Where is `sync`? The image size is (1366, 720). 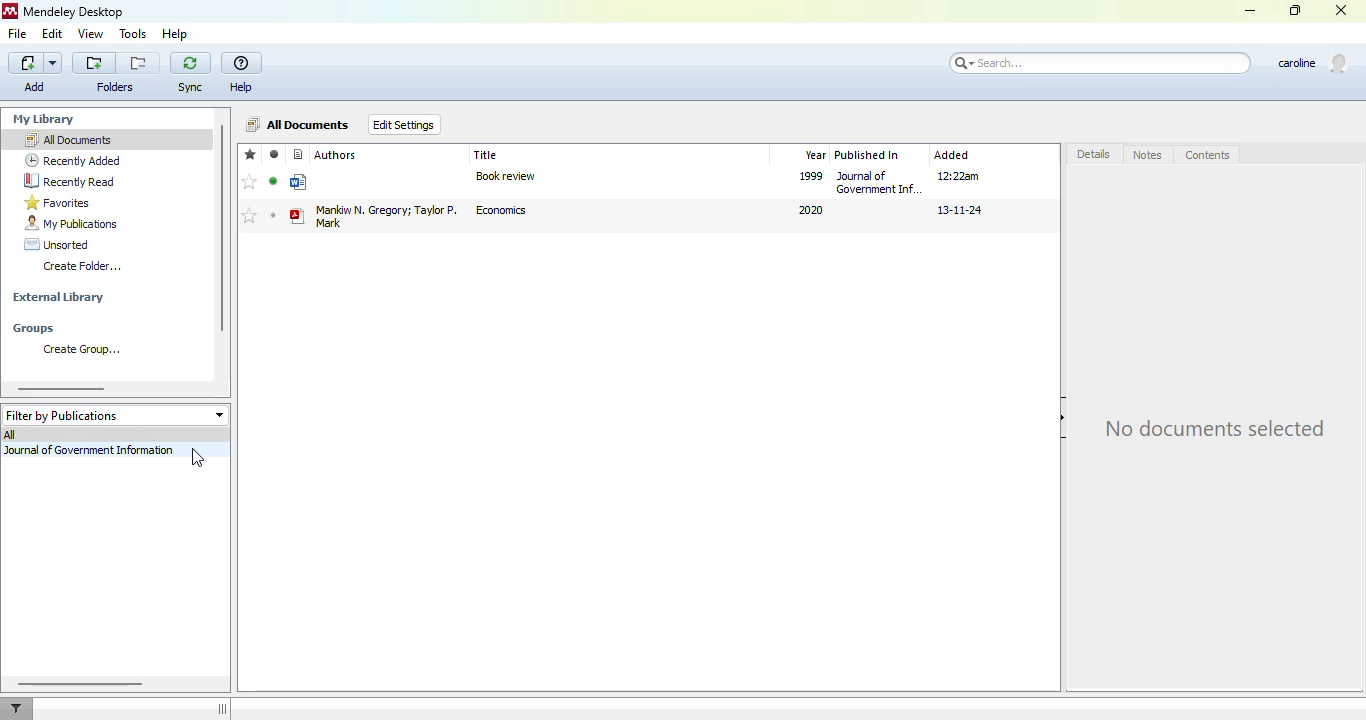 sync is located at coordinates (190, 73).